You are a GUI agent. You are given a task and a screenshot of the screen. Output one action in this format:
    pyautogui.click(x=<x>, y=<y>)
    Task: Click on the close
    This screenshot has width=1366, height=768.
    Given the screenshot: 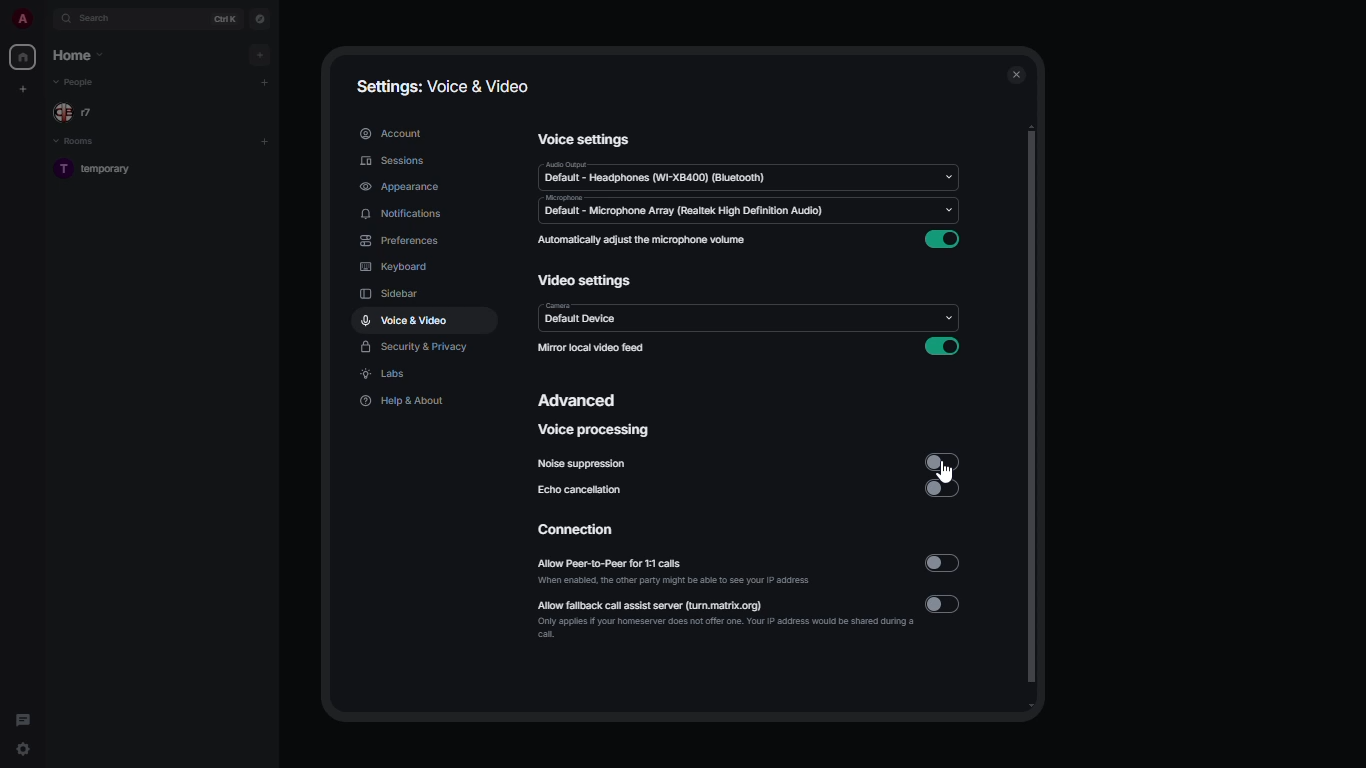 What is the action you would take?
    pyautogui.click(x=1014, y=74)
    